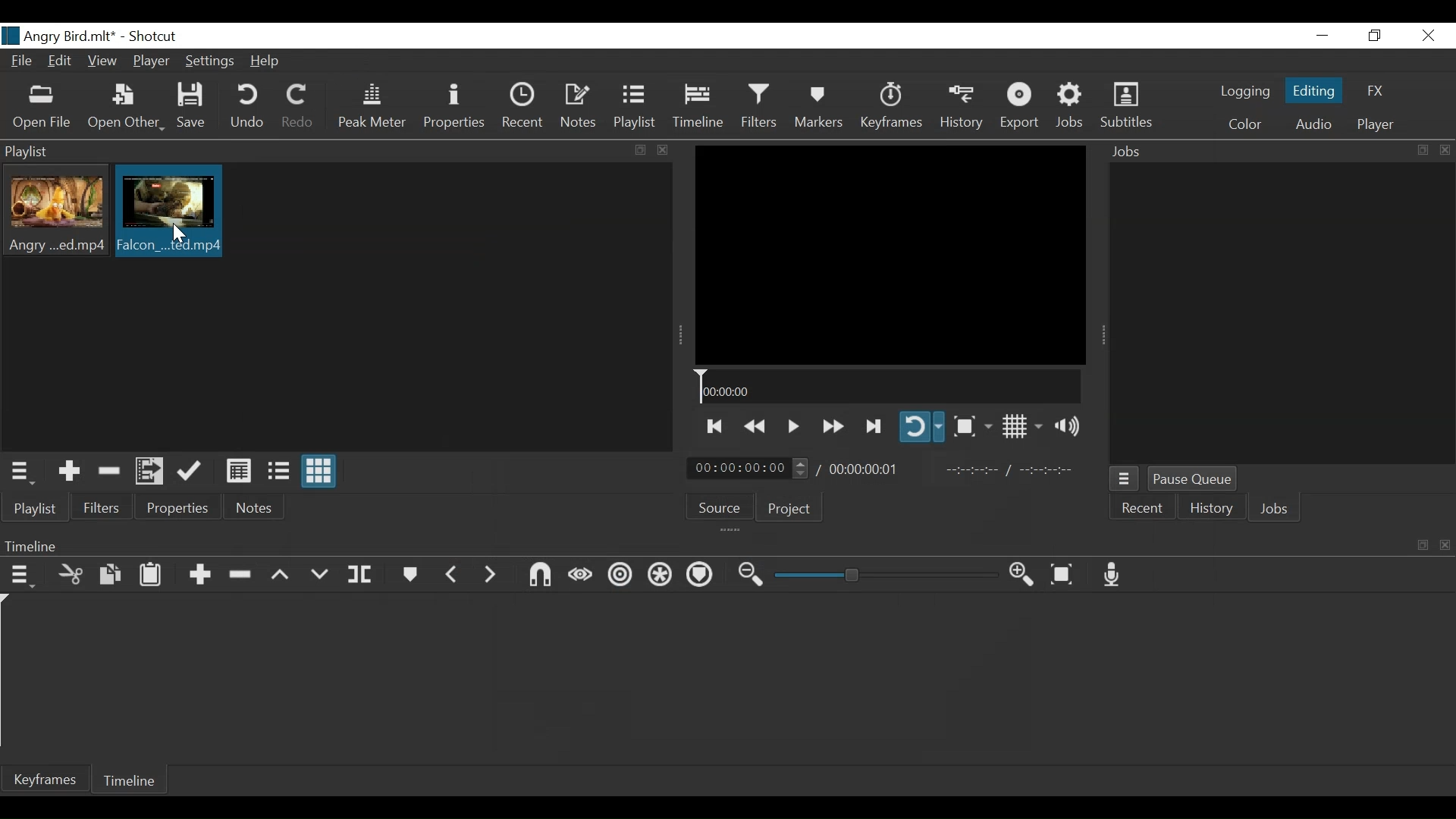  What do you see at coordinates (24, 574) in the screenshot?
I see `Timeline menu` at bounding box center [24, 574].